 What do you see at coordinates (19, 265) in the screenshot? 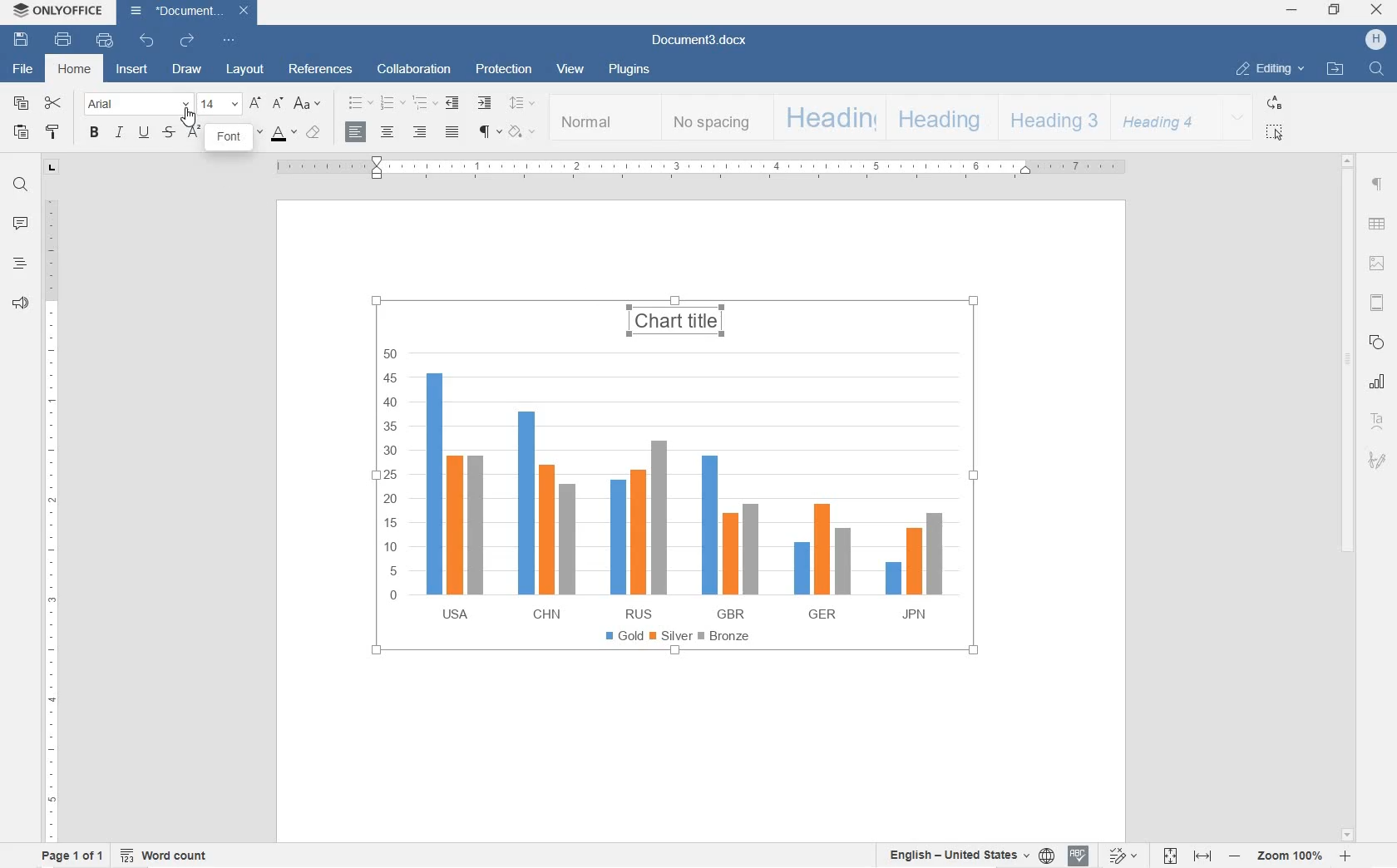
I see `HEADINGS` at bounding box center [19, 265].